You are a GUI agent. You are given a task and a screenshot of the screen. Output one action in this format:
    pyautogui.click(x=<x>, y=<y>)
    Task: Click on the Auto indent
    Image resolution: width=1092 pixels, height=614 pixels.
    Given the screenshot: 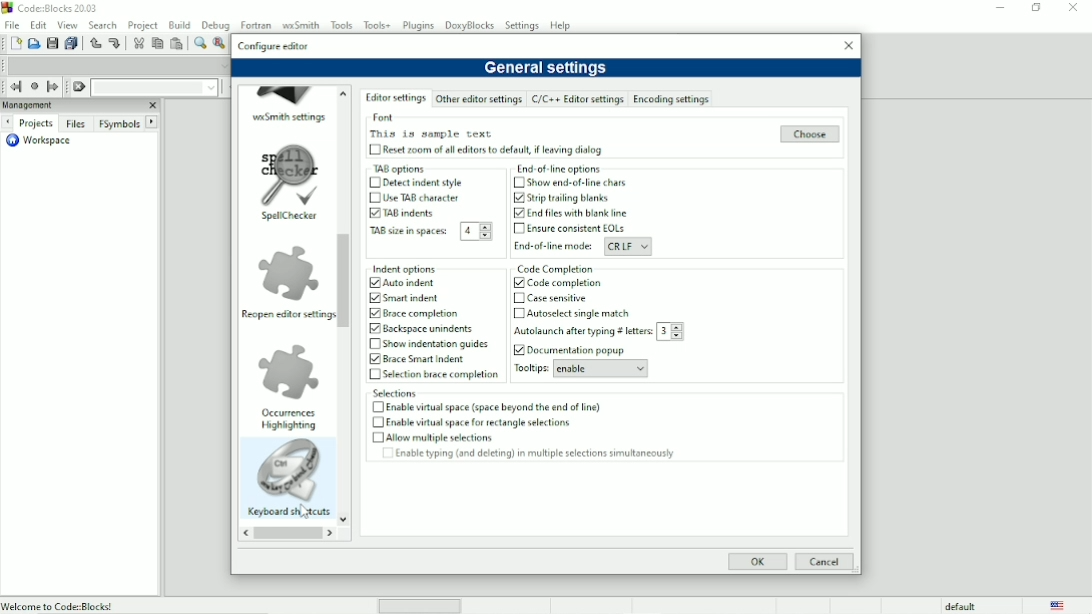 What is the action you would take?
    pyautogui.click(x=412, y=283)
    